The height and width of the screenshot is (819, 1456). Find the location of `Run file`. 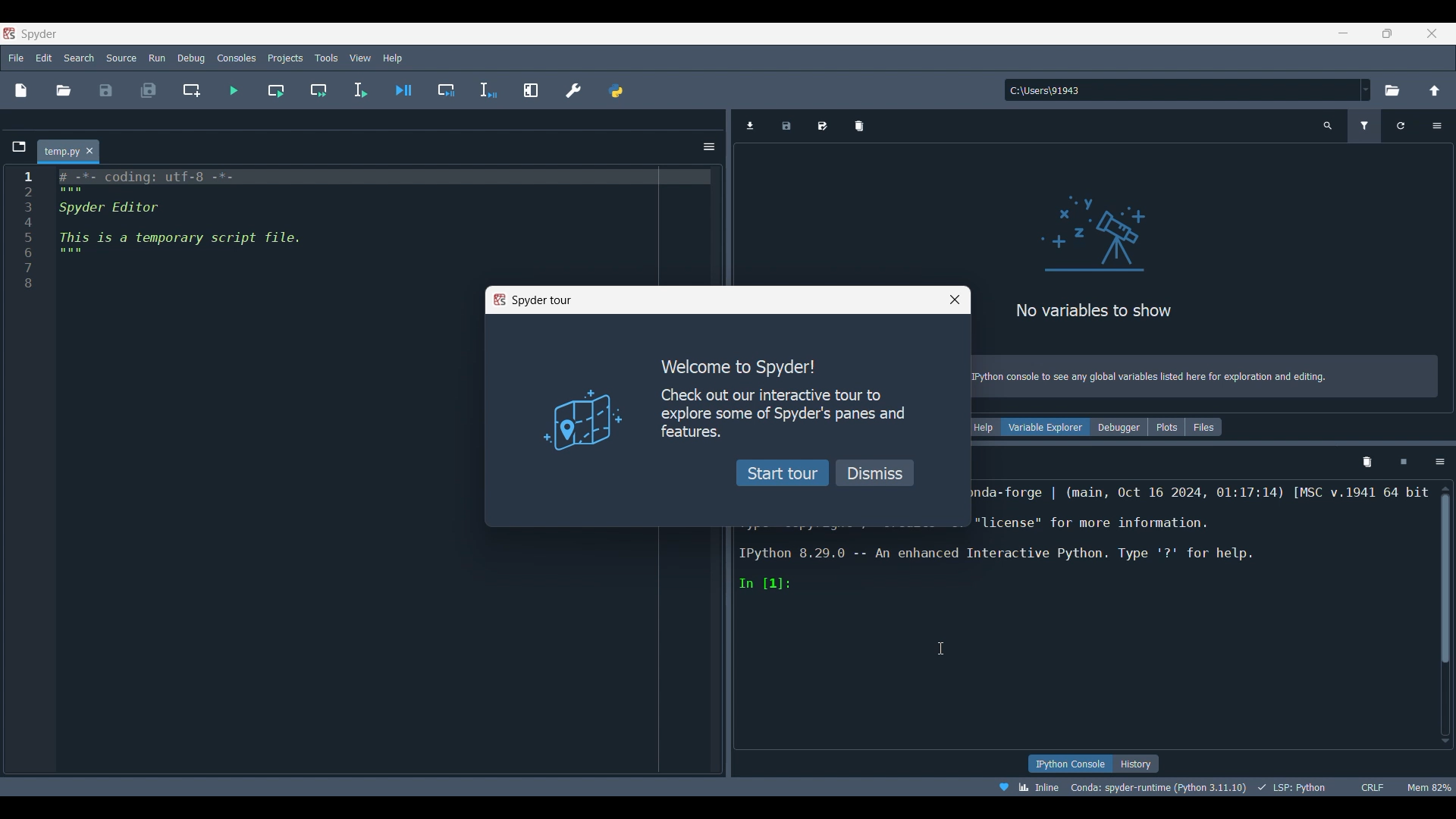

Run file is located at coordinates (234, 90).